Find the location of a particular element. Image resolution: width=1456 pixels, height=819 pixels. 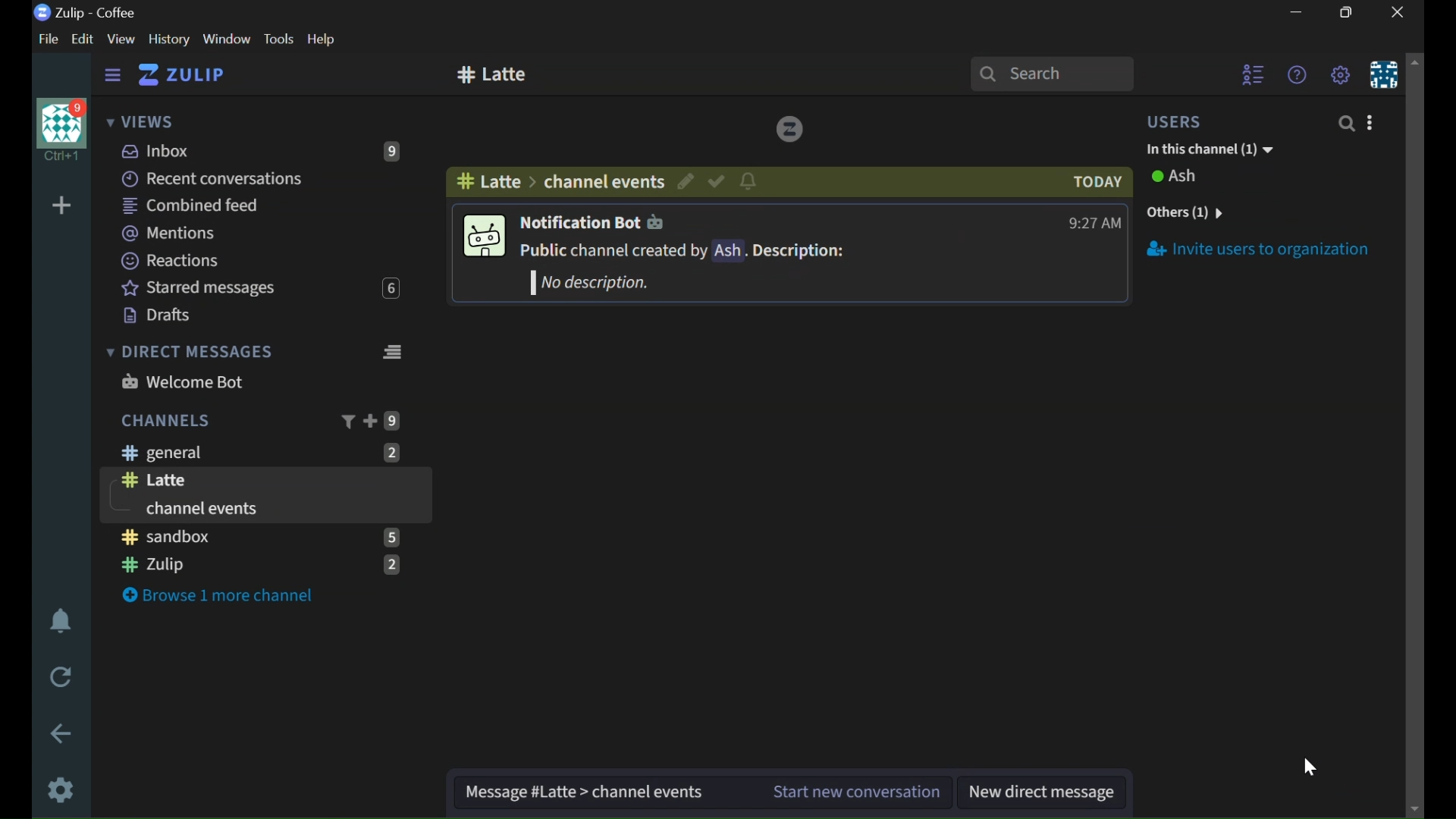

INVITE USERS is located at coordinates (1370, 122).